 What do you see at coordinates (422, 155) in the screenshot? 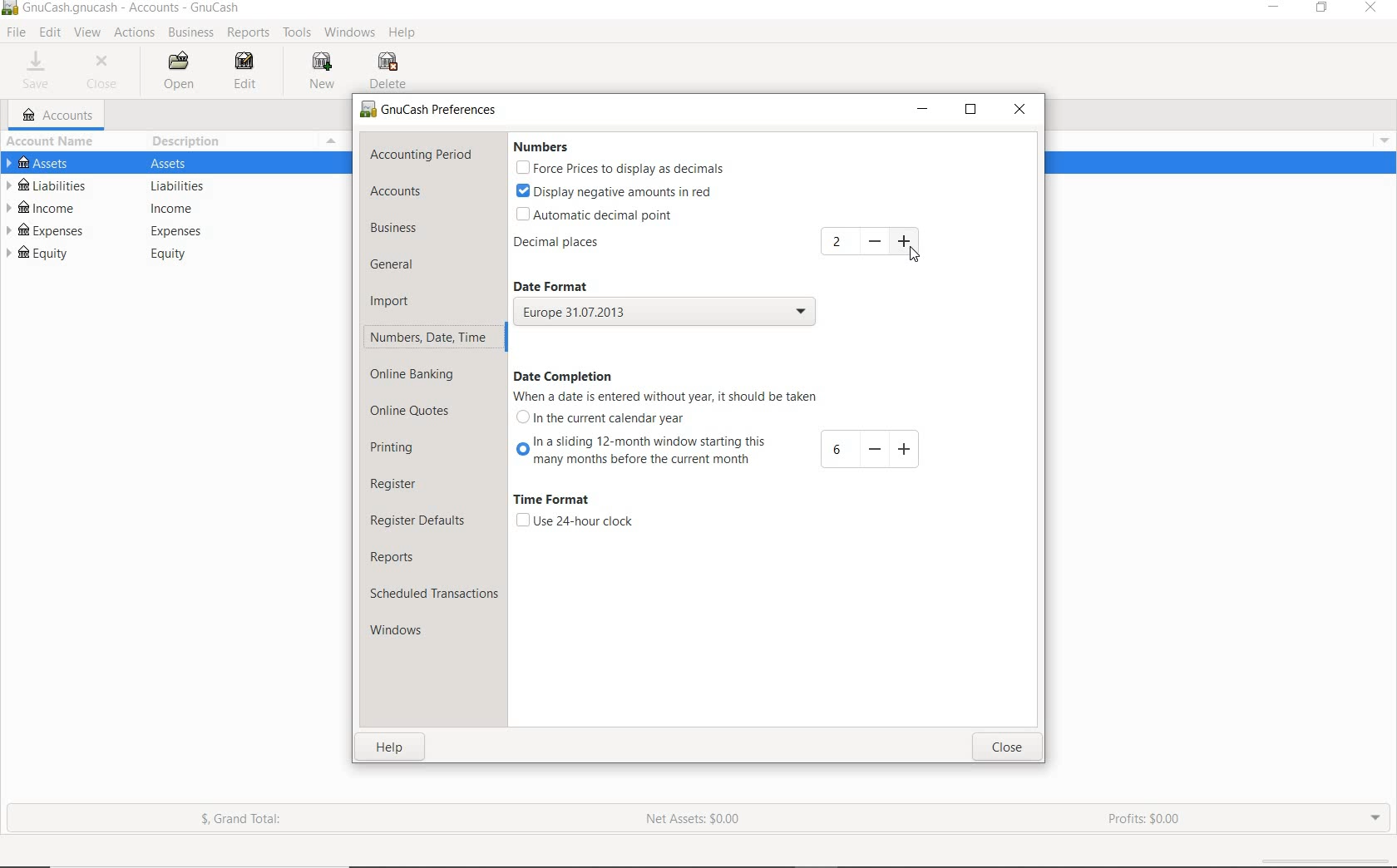
I see `accounting period` at bounding box center [422, 155].